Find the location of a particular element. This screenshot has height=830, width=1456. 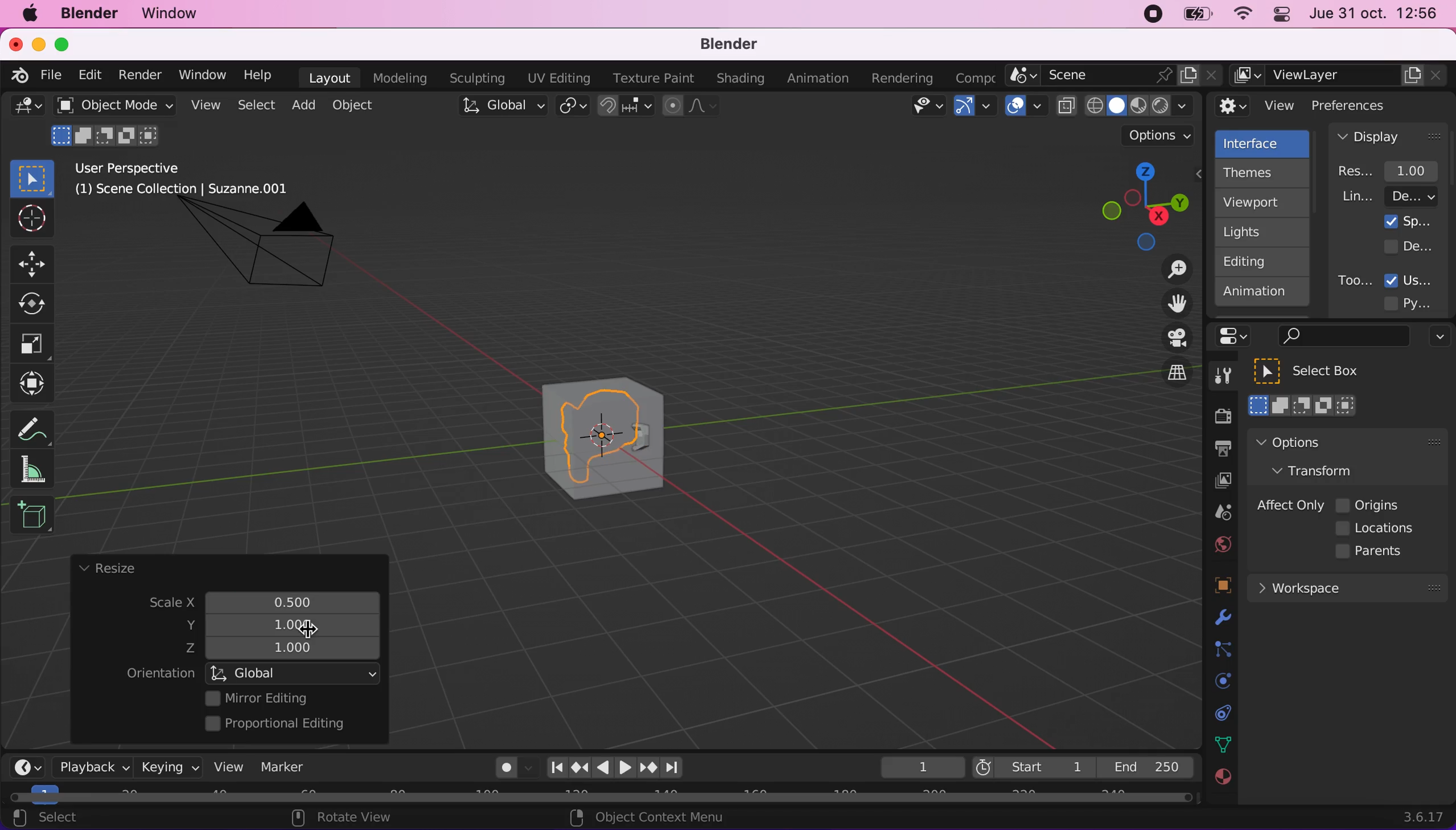

output is located at coordinates (1217, 450).